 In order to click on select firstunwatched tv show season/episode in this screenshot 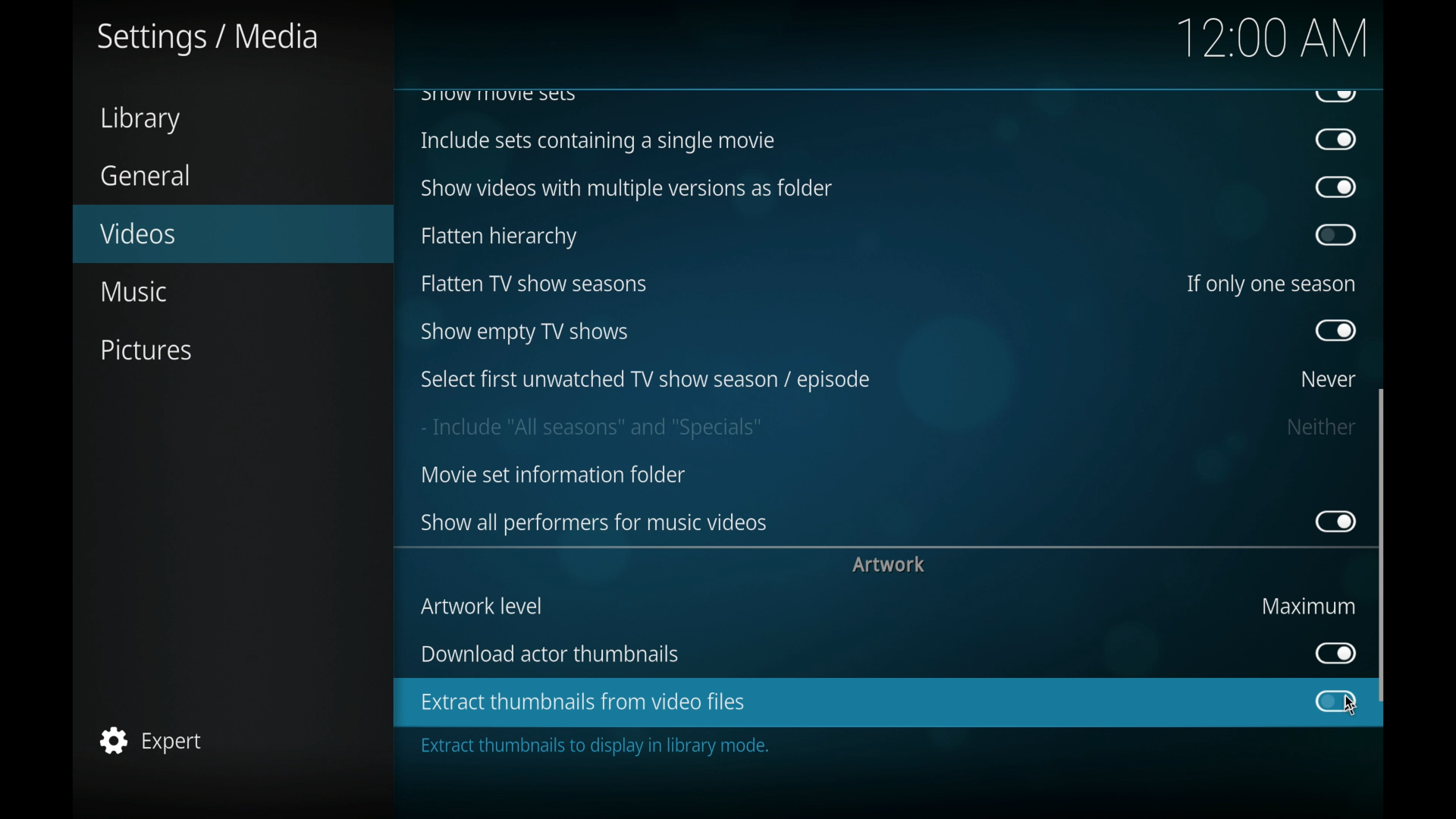, I will do `click(645, 381)`.